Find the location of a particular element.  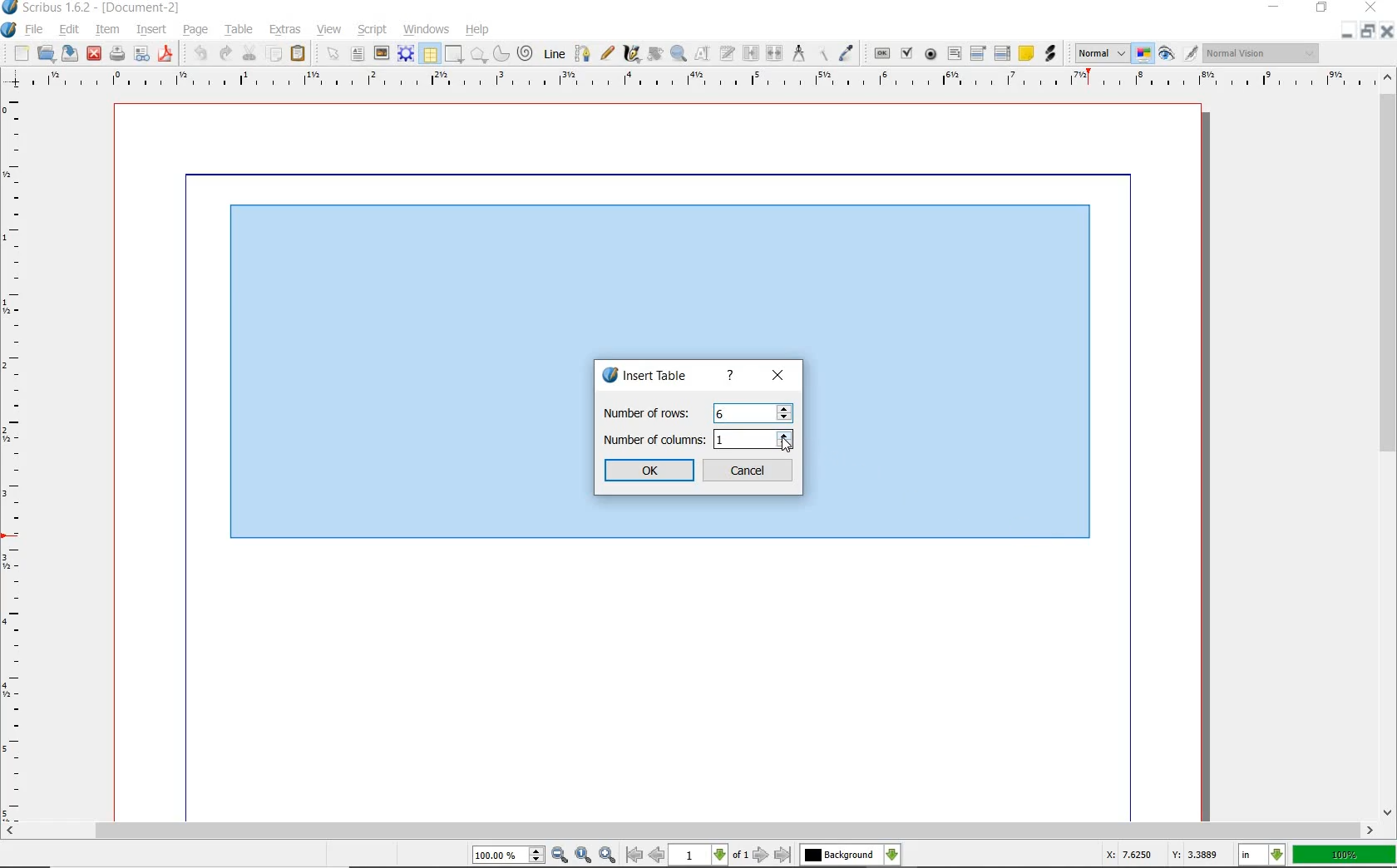

ok is located at coordinates (649, 471).